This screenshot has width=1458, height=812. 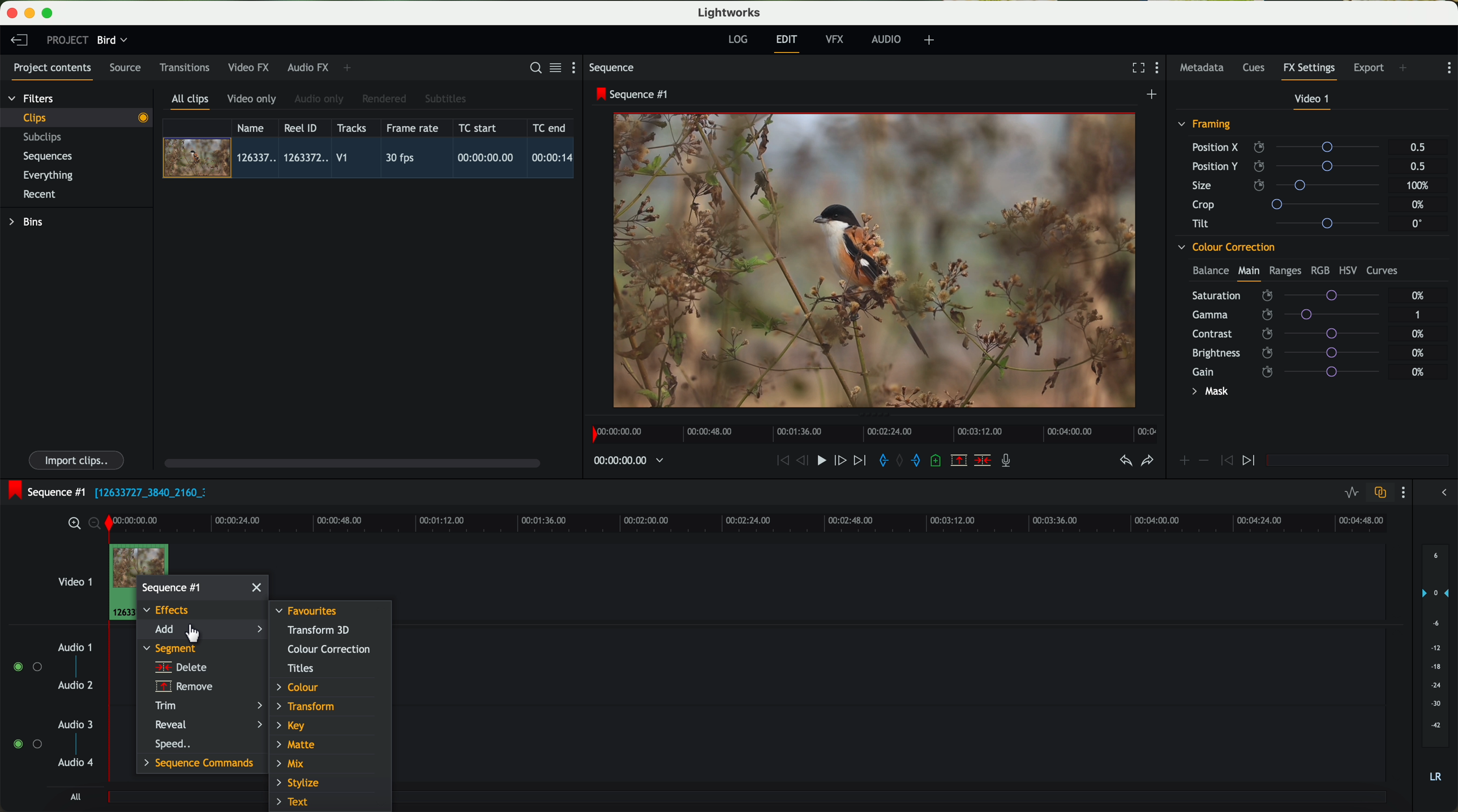 I want to click on subtitles, so click(x=444, y=99).